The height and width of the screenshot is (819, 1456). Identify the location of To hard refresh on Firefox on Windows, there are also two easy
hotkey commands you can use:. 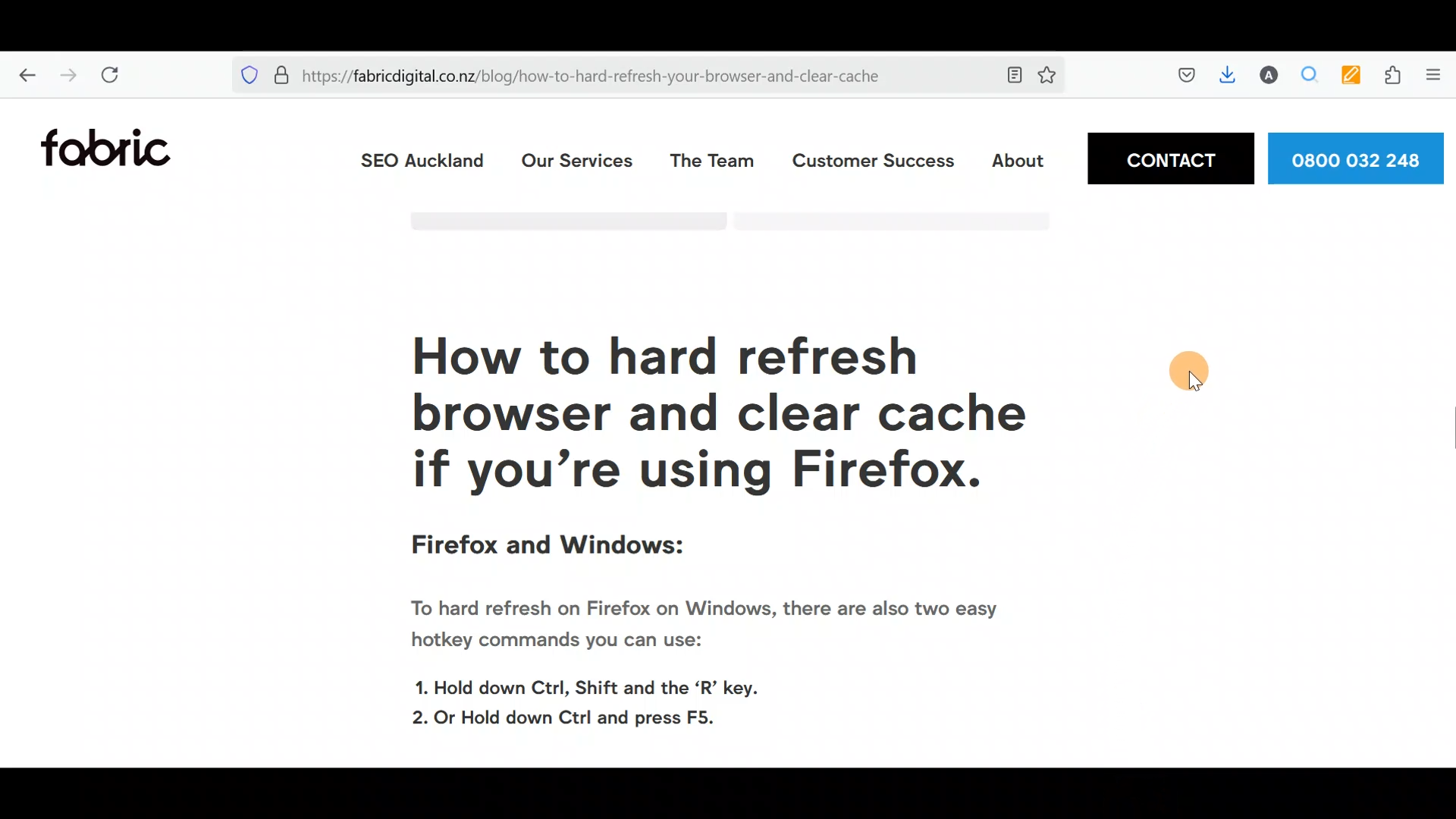
(701, 628).